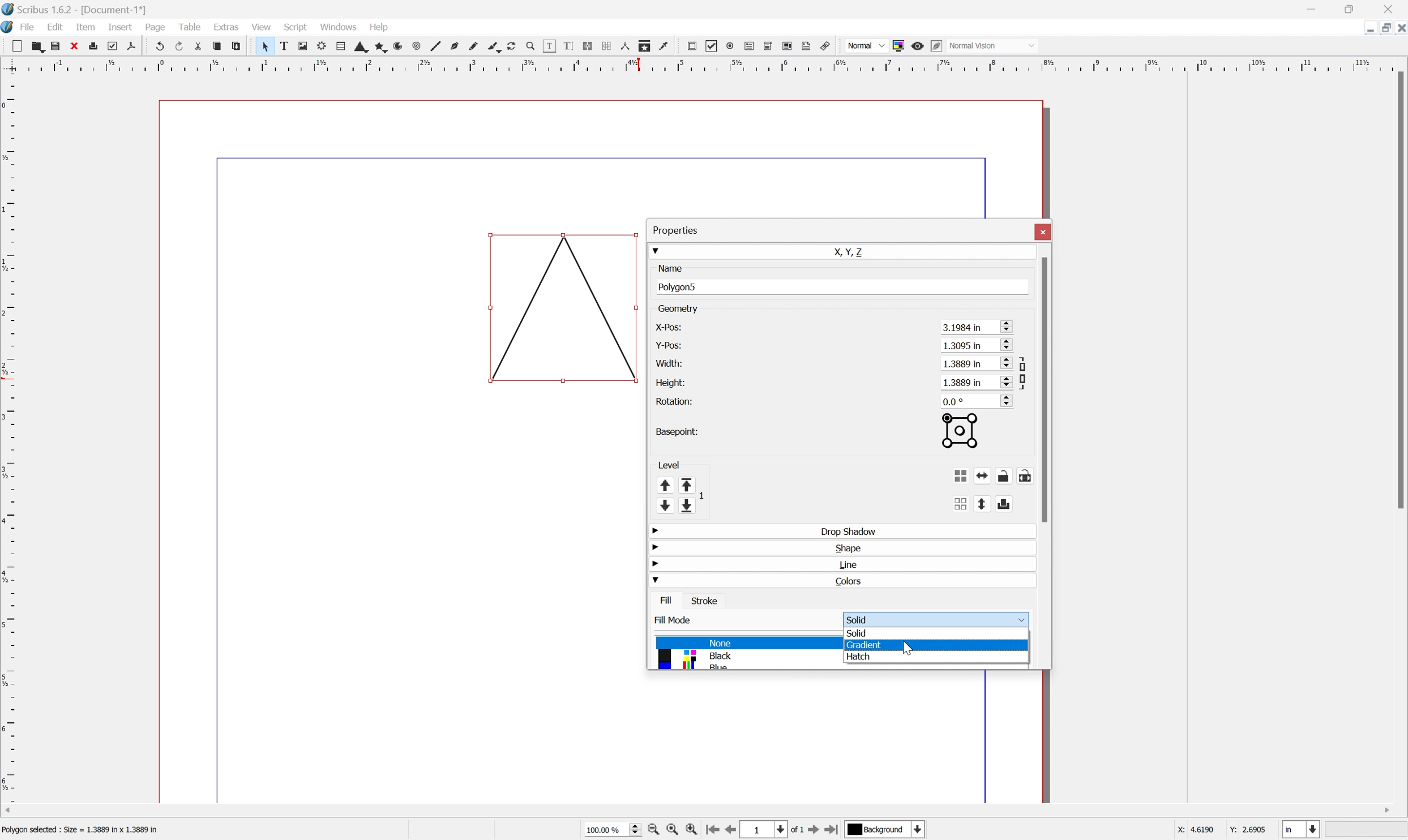 The width and height of the screenshot is (1408, 840). Describe the element at coordinates (995, 503) in the screenshot. I see `Flip vertically` at that location.